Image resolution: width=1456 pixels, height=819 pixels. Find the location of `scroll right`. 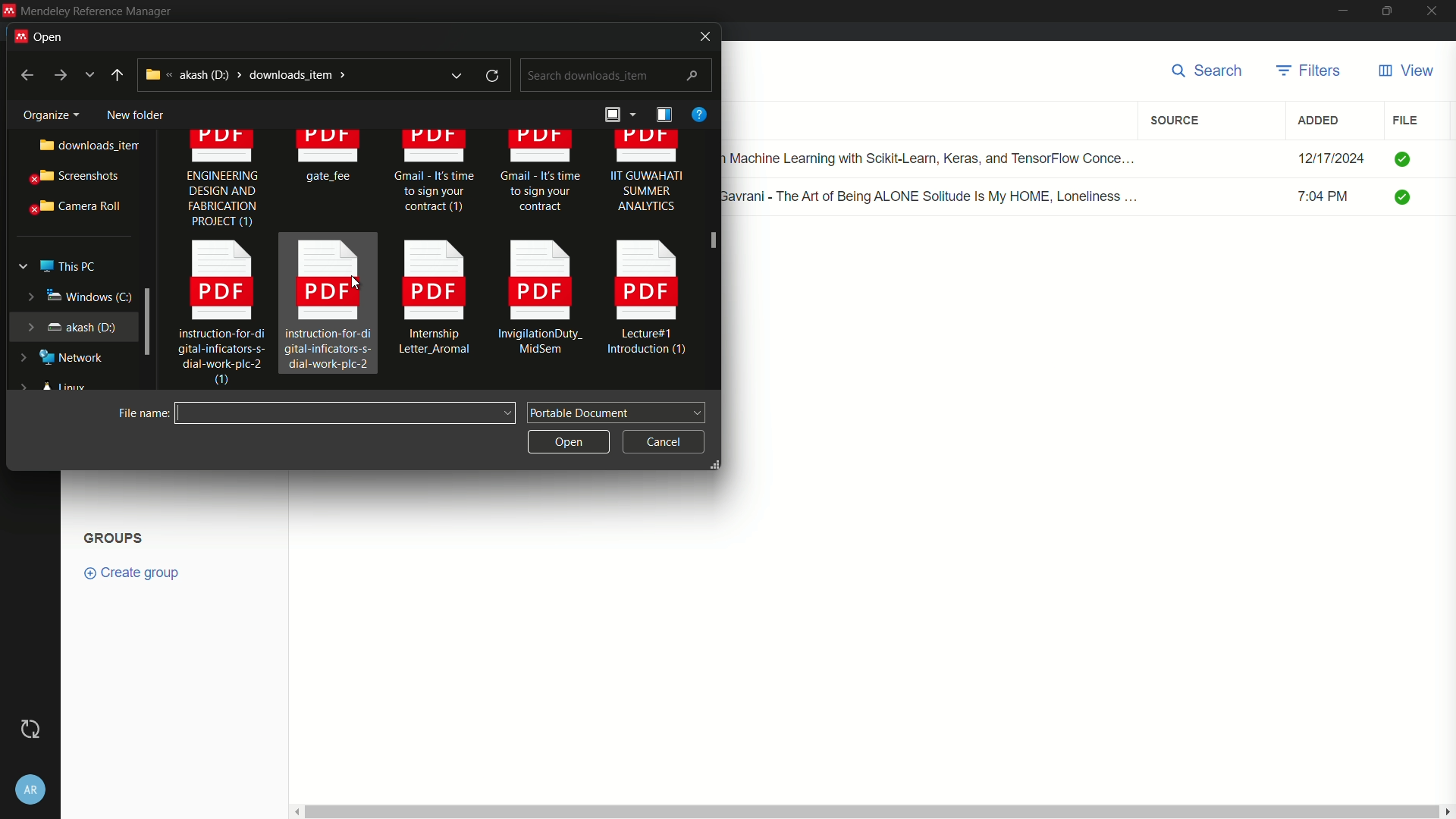

scroll right is located at coordinates (1447, 811).